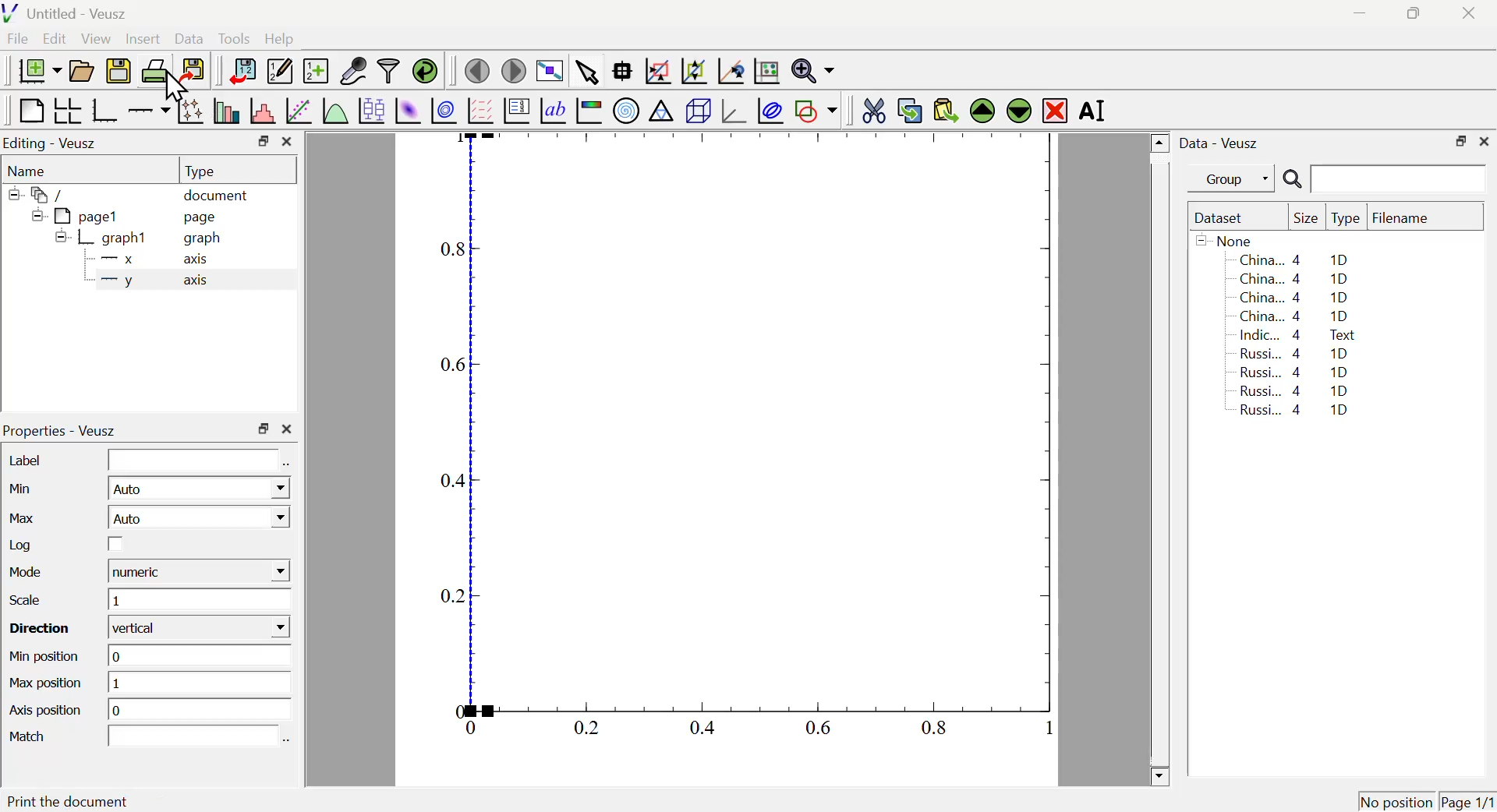  Describe the element at coordinates (203, 655) in the screenshot. I see `0` at that location.